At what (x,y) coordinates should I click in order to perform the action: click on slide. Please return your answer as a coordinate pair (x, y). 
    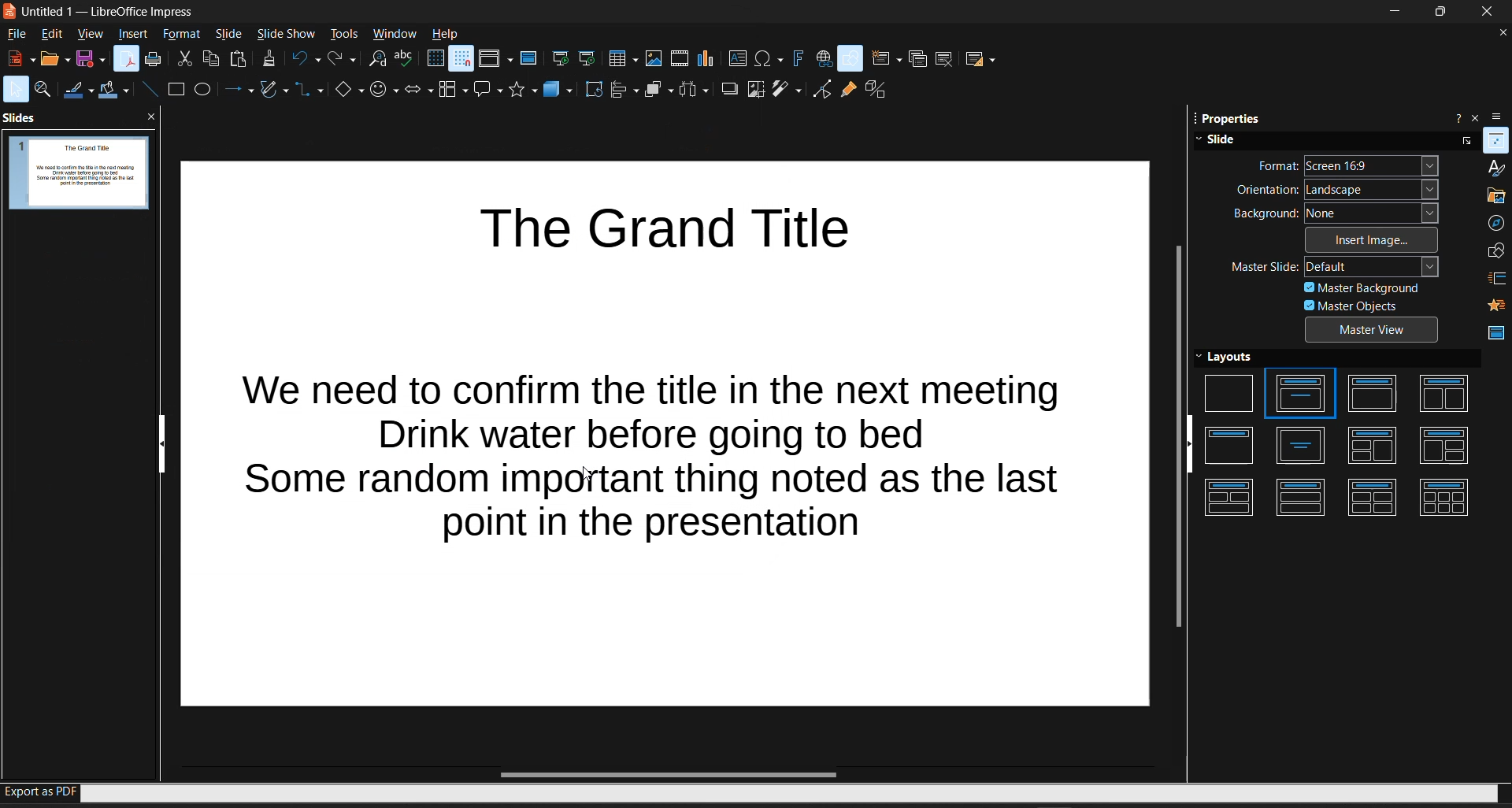
    Looking at the image, I should click on (1318, 139).